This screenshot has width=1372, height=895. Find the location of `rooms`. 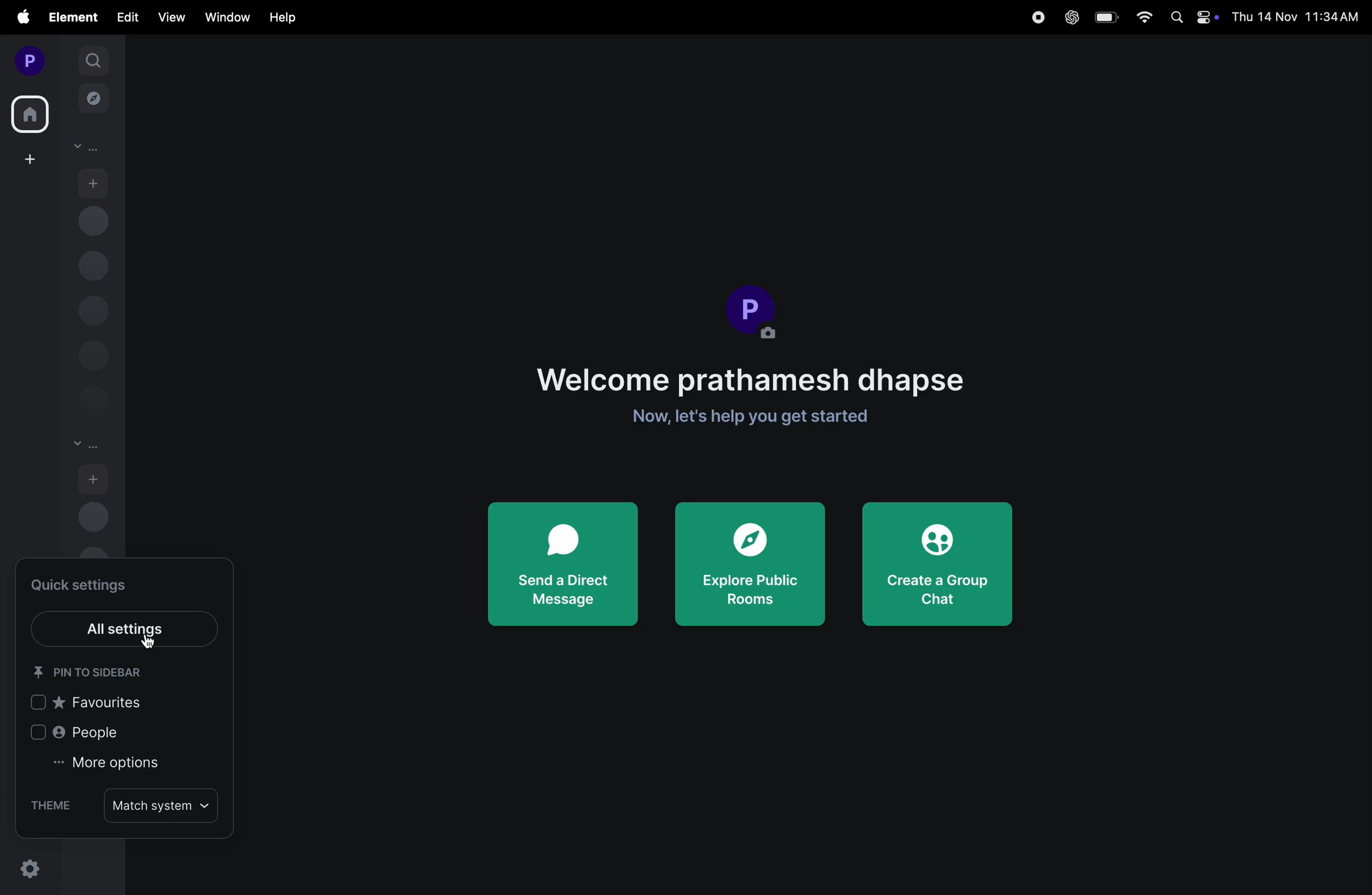

rooms is located at coordinates (86, 446).